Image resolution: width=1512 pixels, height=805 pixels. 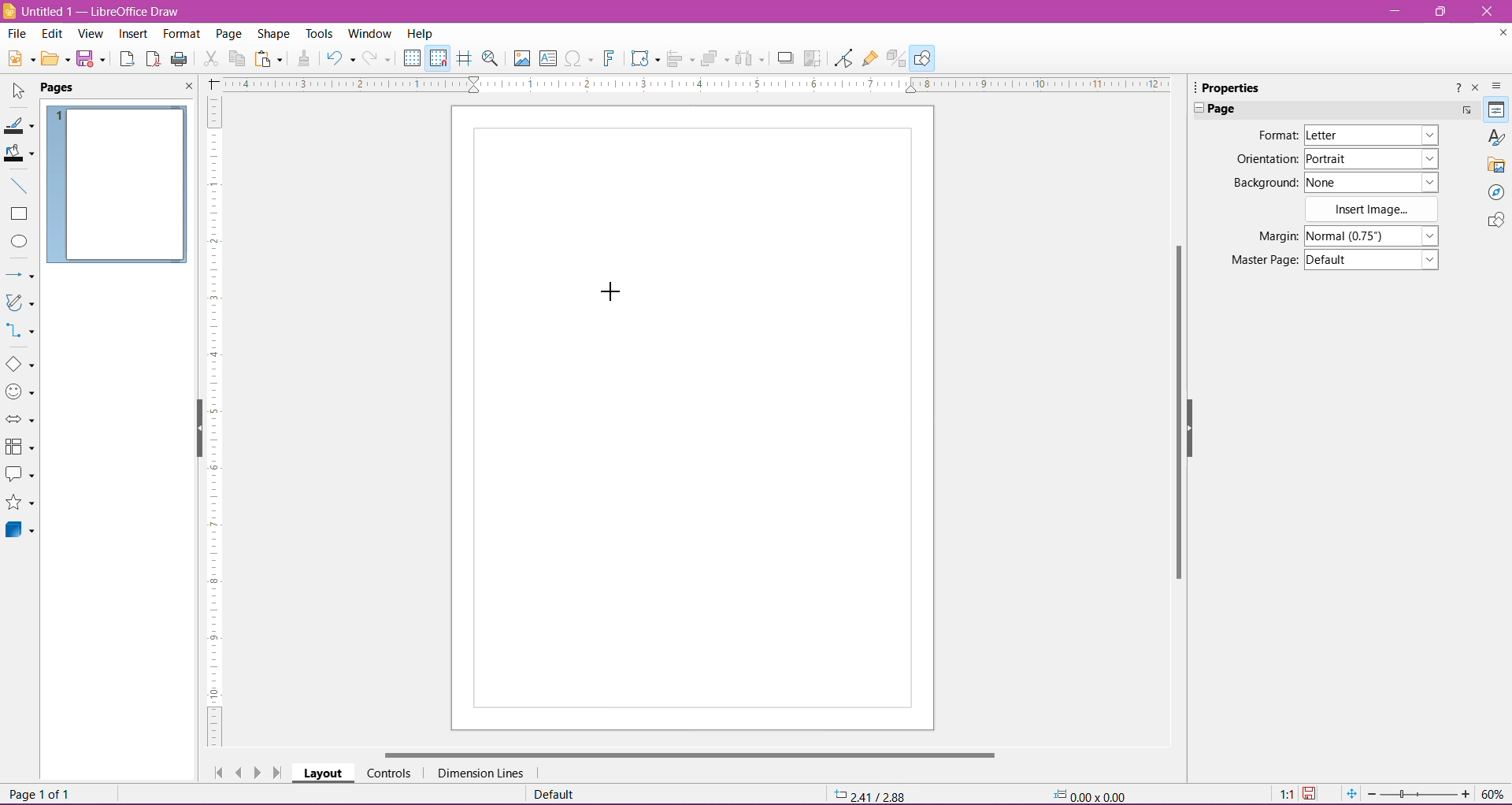 I want to click on Cursor Position, so click(x=871, y=793).